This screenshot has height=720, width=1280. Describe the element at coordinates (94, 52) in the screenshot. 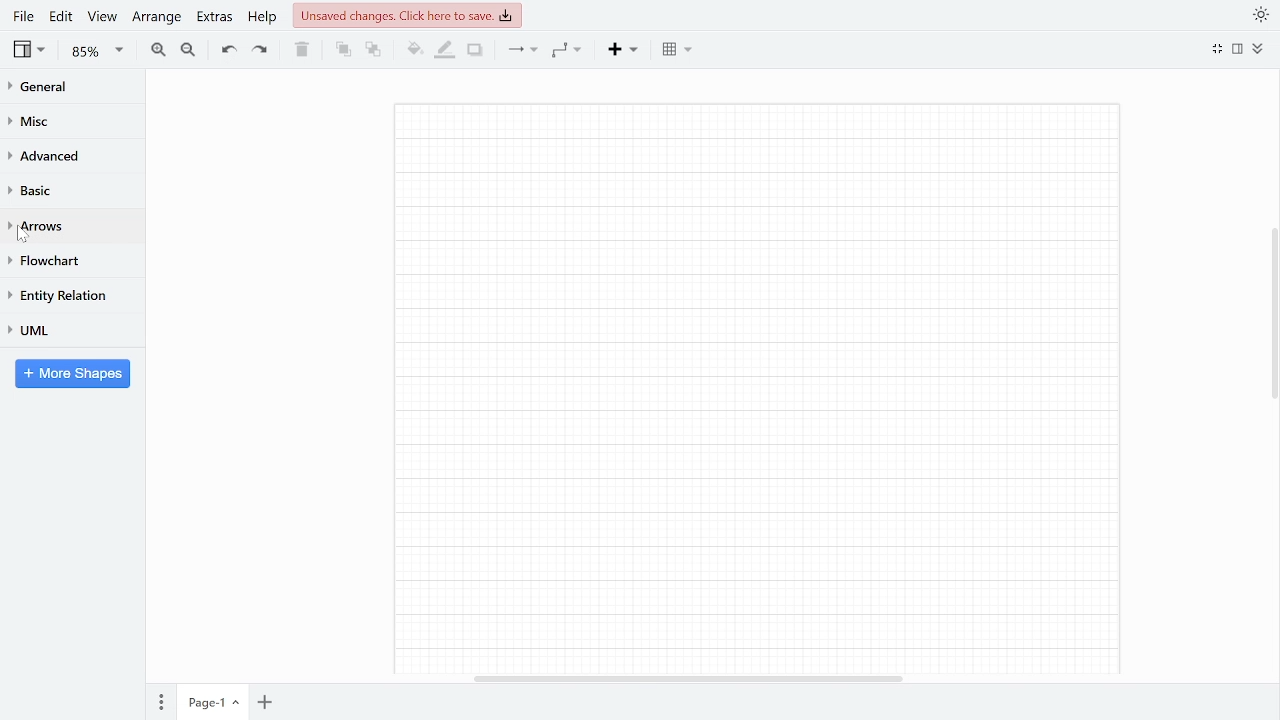

I see `Zoom (85%)` at that location.